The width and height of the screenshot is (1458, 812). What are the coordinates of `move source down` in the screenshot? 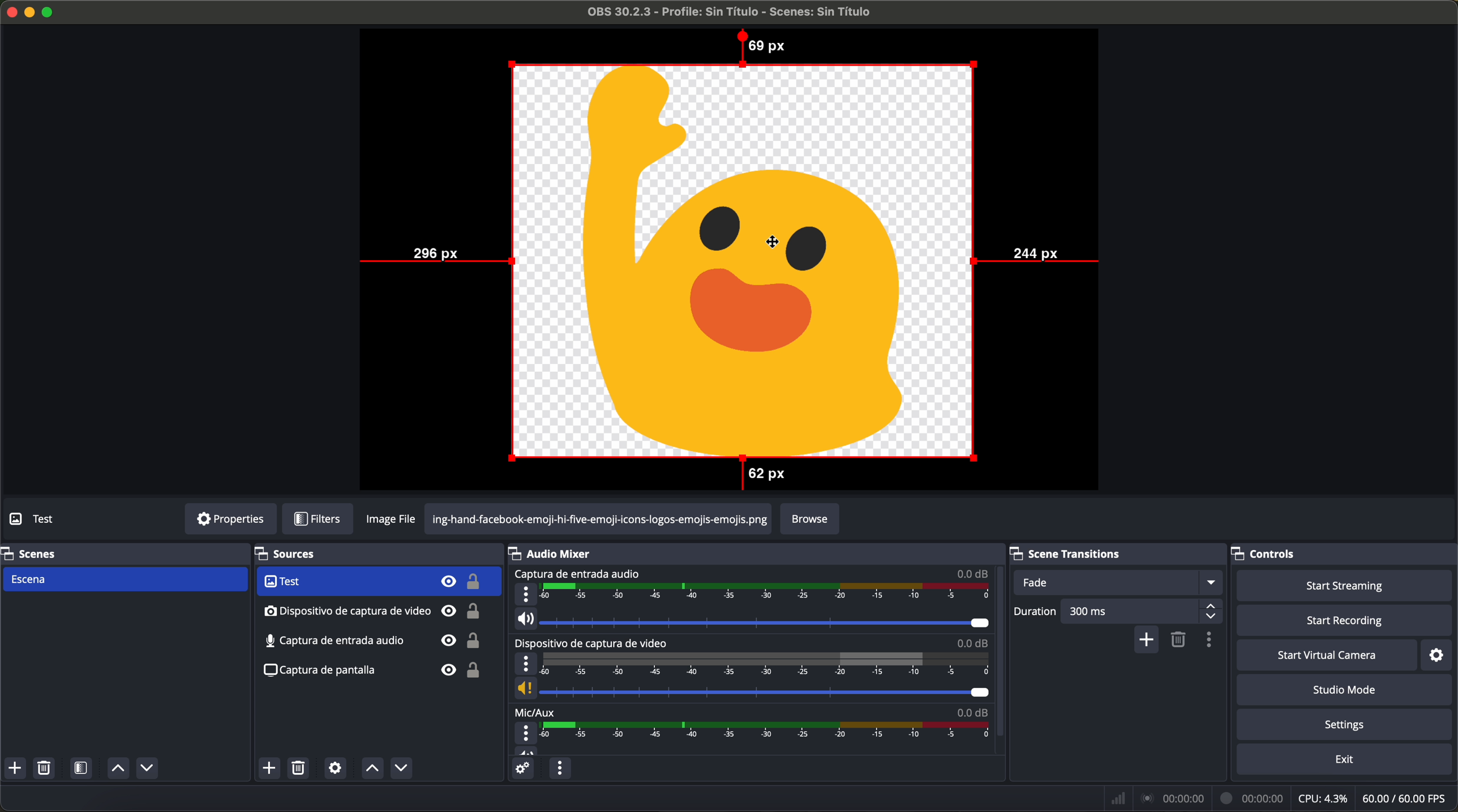 It's located at (398, 769).